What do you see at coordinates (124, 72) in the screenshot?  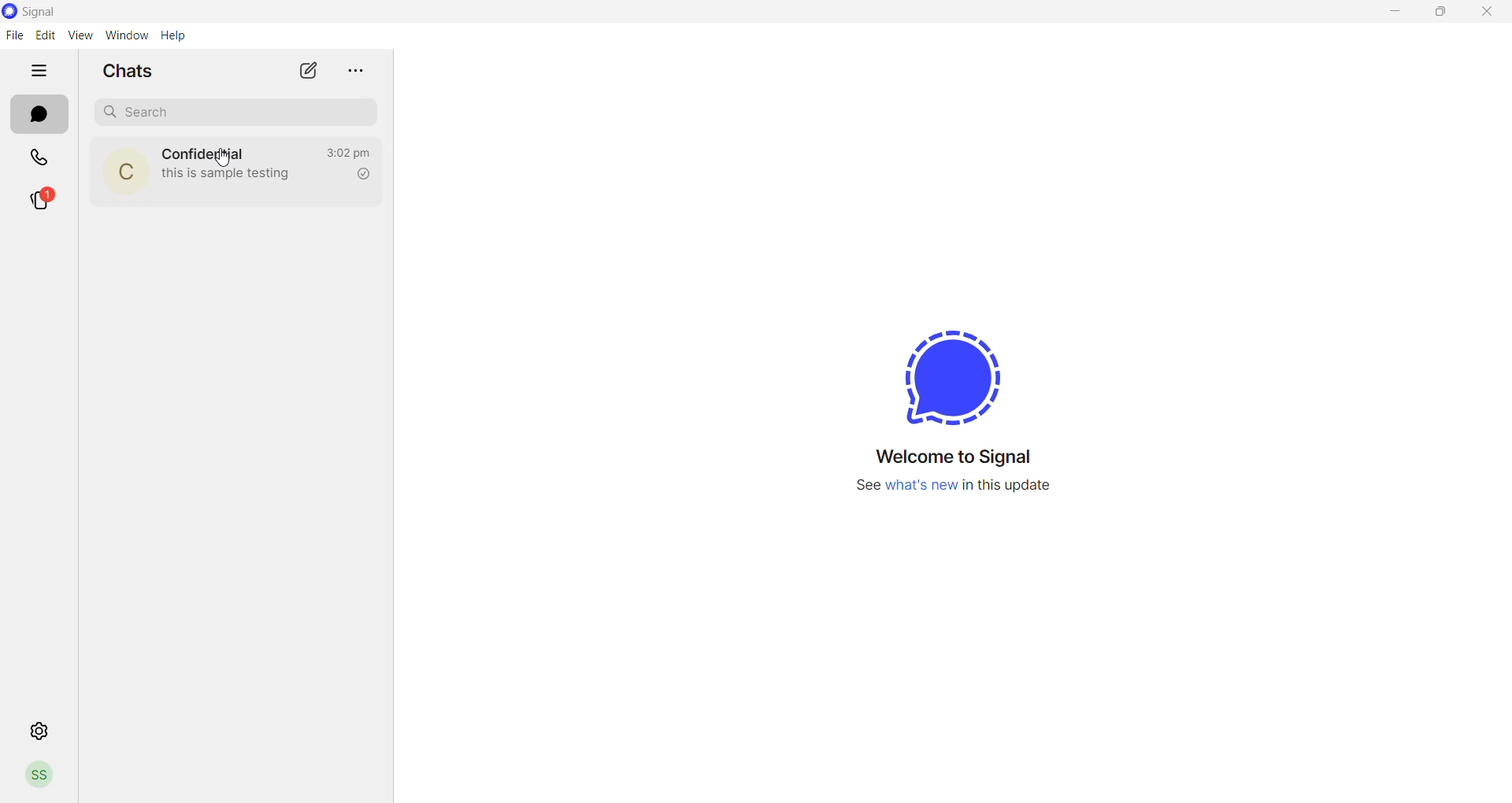 I see `chats heading` at bounding box center [124, 72].